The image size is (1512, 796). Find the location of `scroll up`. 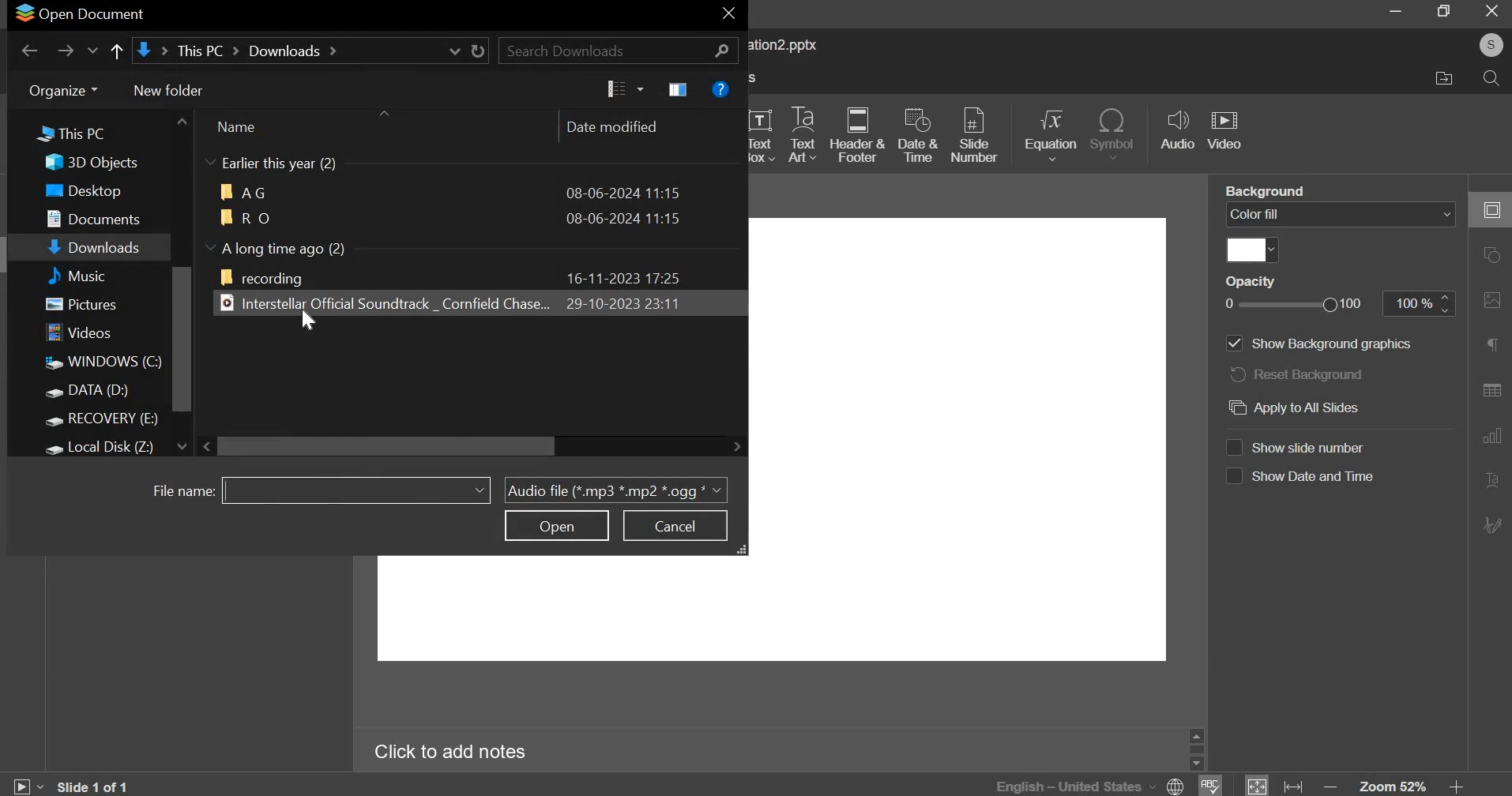

scroll up is located at coordinates (1196, 736).